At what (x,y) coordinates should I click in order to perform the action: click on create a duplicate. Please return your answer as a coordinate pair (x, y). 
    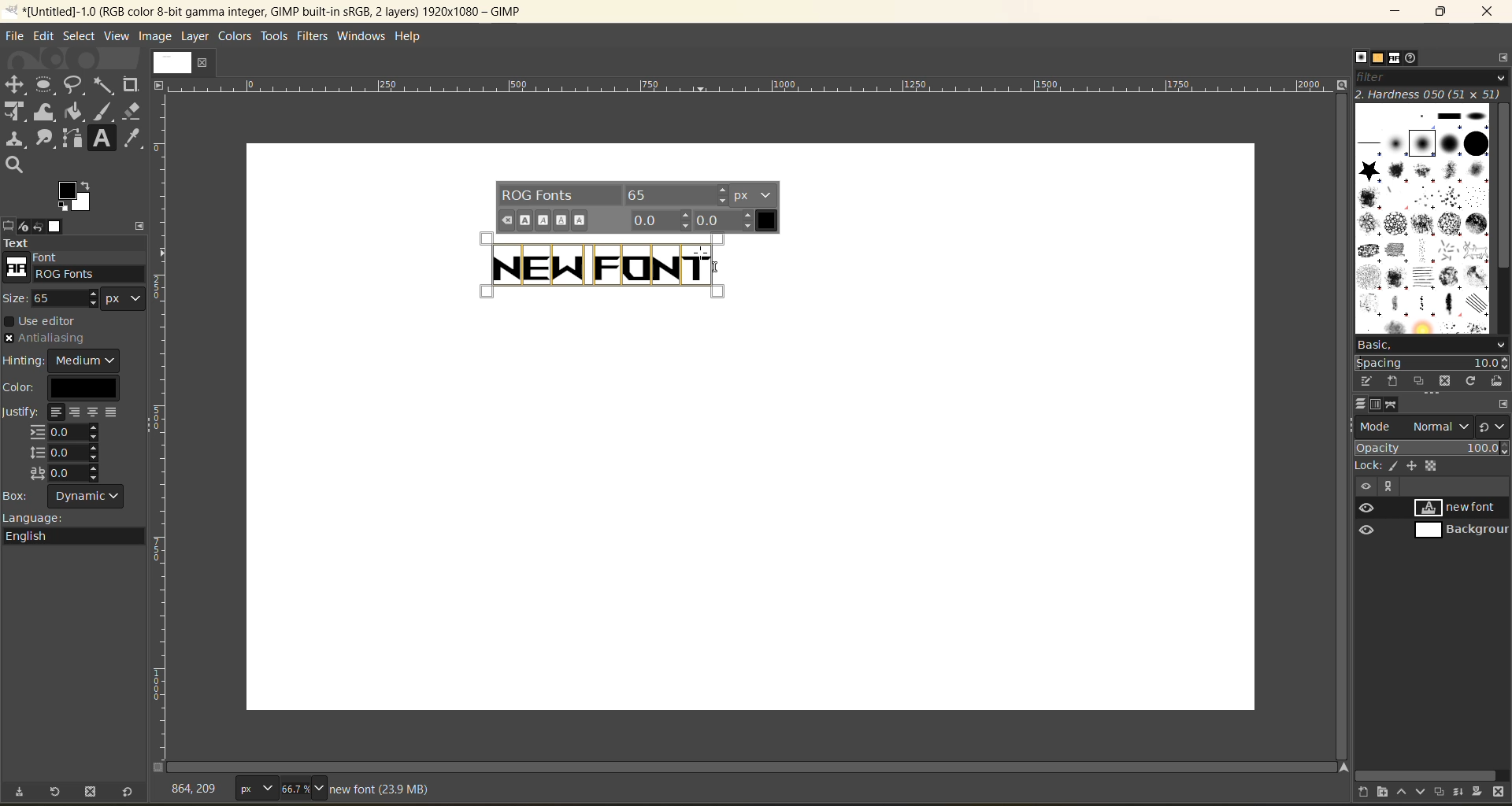
    Looking at the image, I should click on (1440, 791).